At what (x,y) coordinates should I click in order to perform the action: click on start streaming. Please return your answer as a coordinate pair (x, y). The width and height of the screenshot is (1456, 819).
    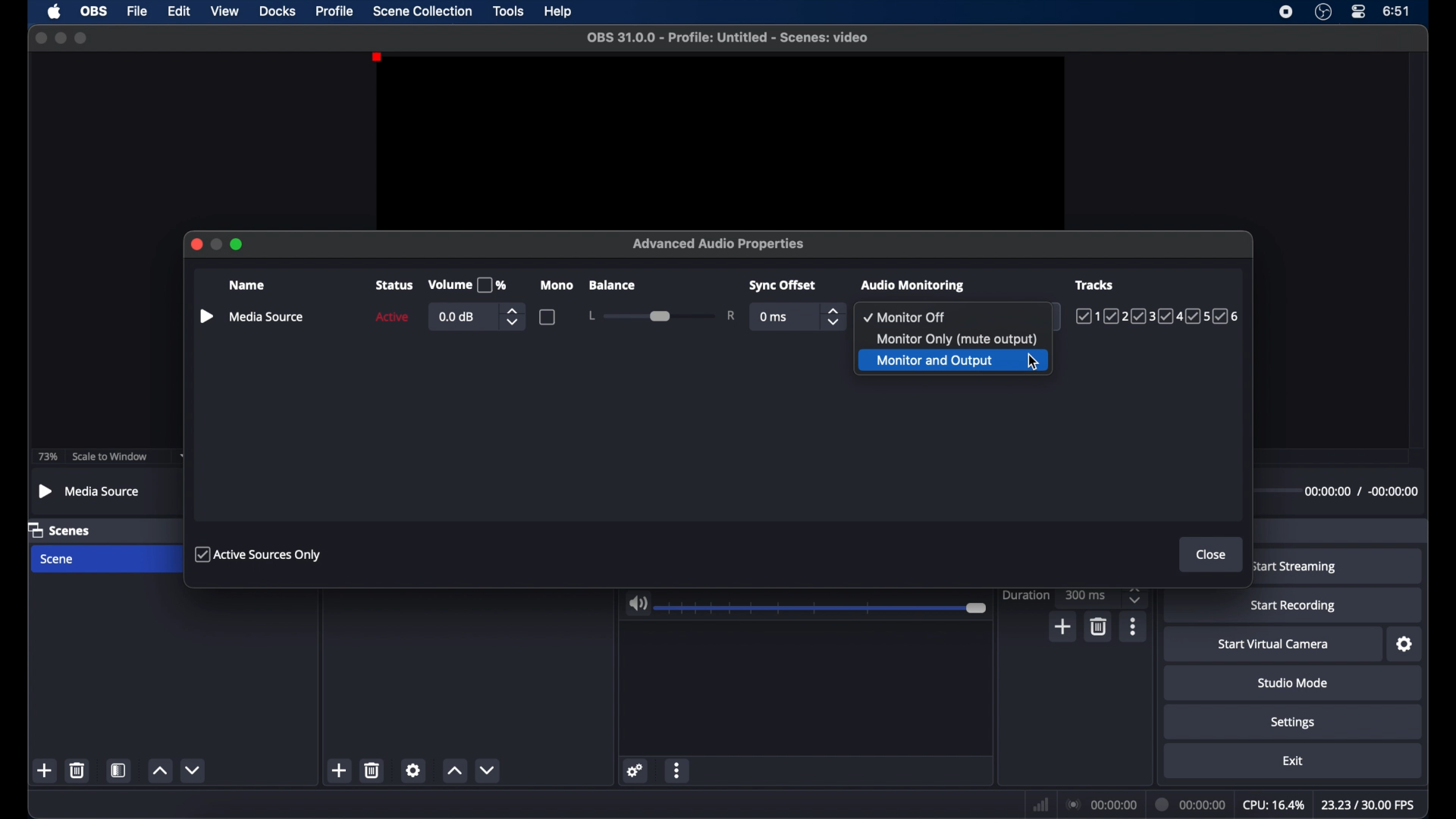
    Looking at the image, I should click on (1294, 567).